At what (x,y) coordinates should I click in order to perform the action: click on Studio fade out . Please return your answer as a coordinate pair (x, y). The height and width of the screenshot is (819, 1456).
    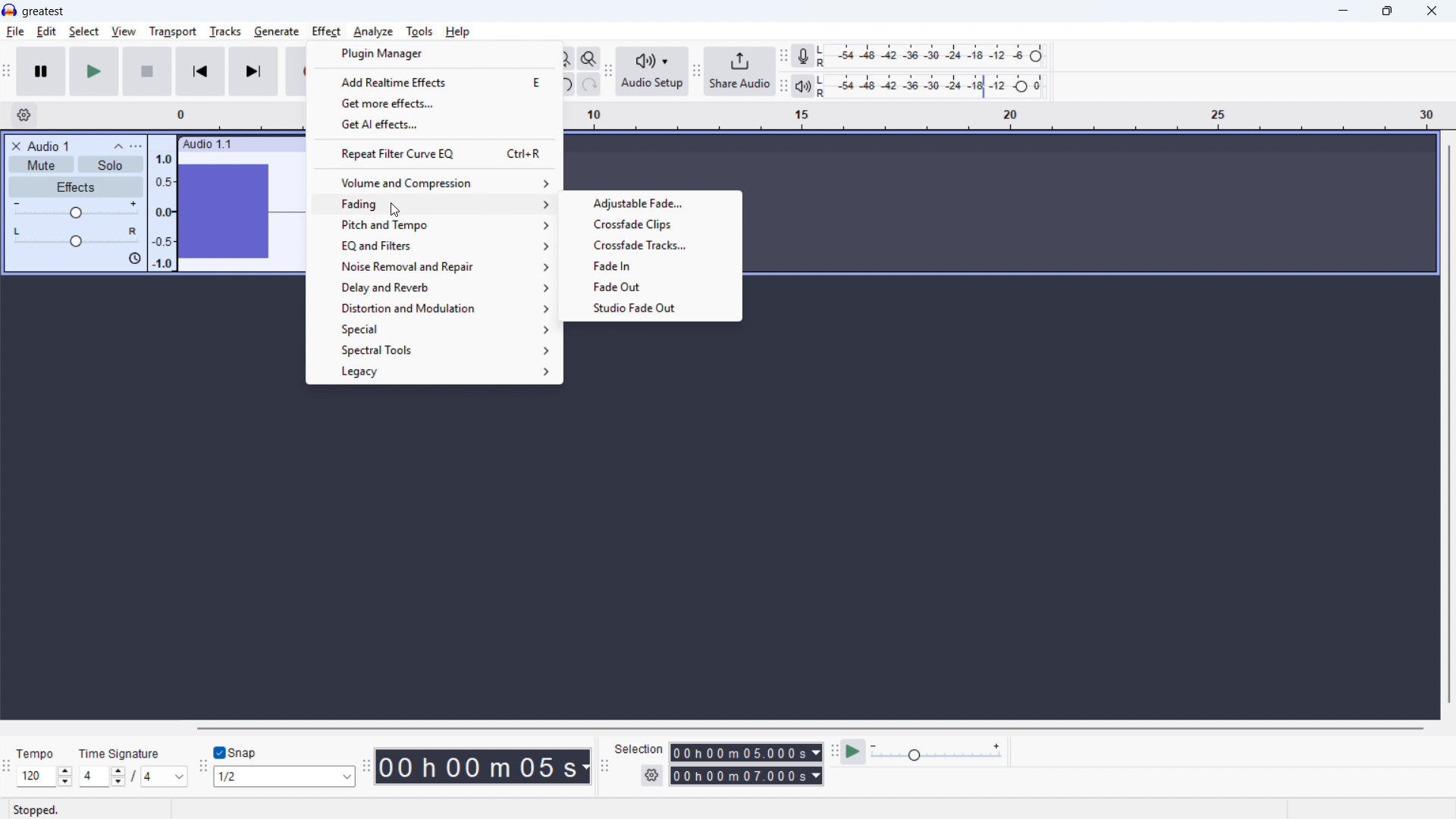
    Looking at the image, I should click on (650, 307).